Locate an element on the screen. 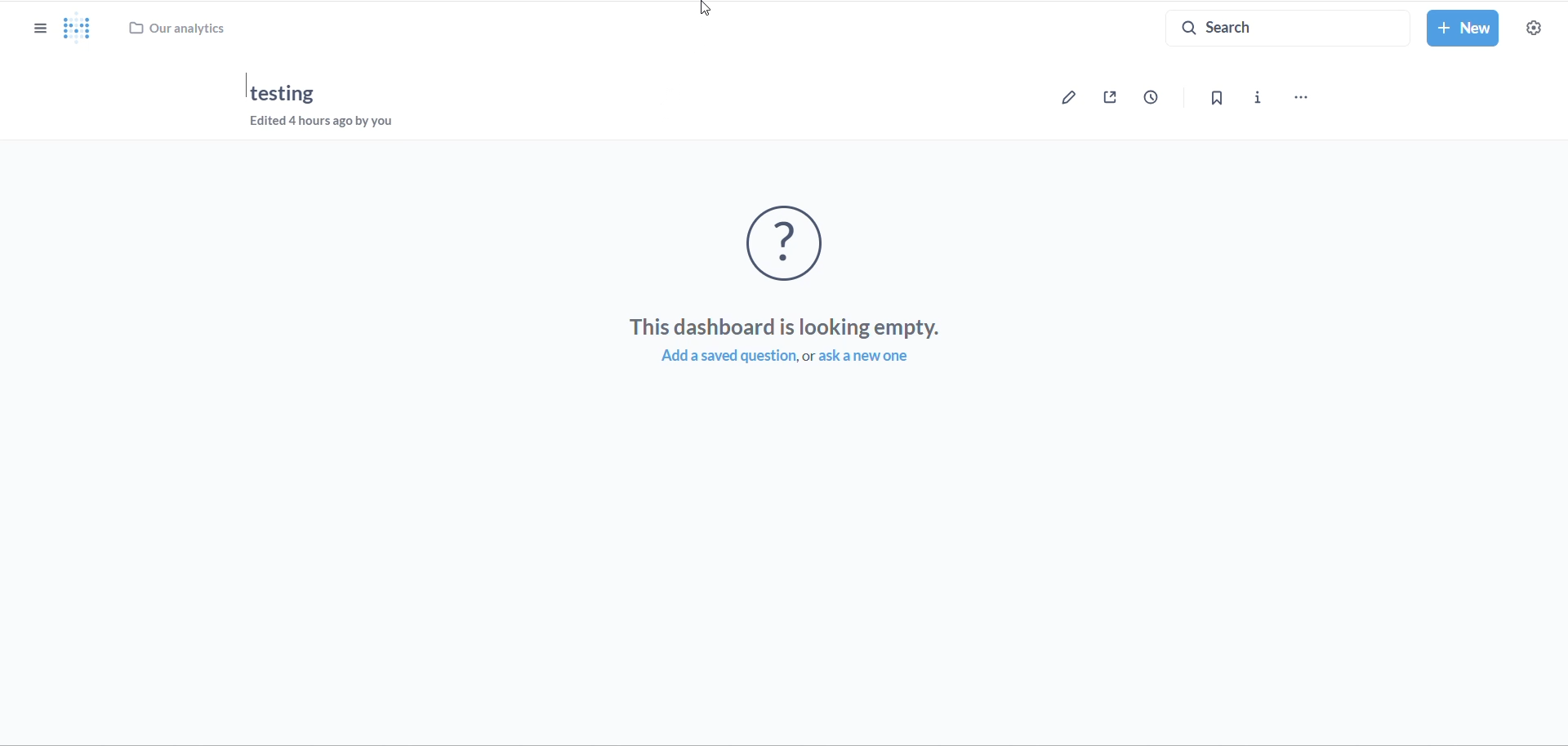  metabase logo is located at coordinates (77, 28).